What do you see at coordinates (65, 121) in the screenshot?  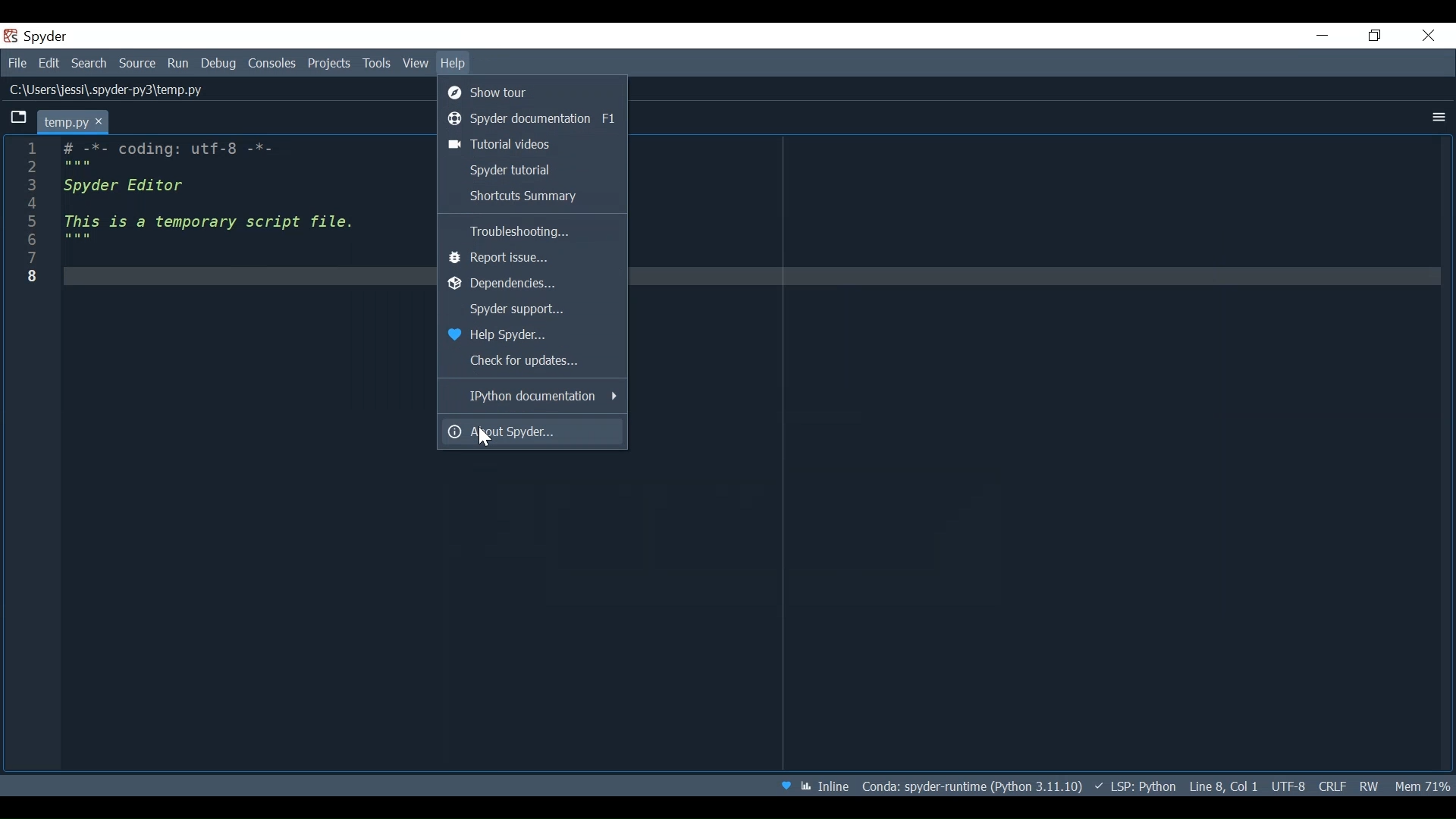 I see `Current tab` at bounding box center [65, 121].